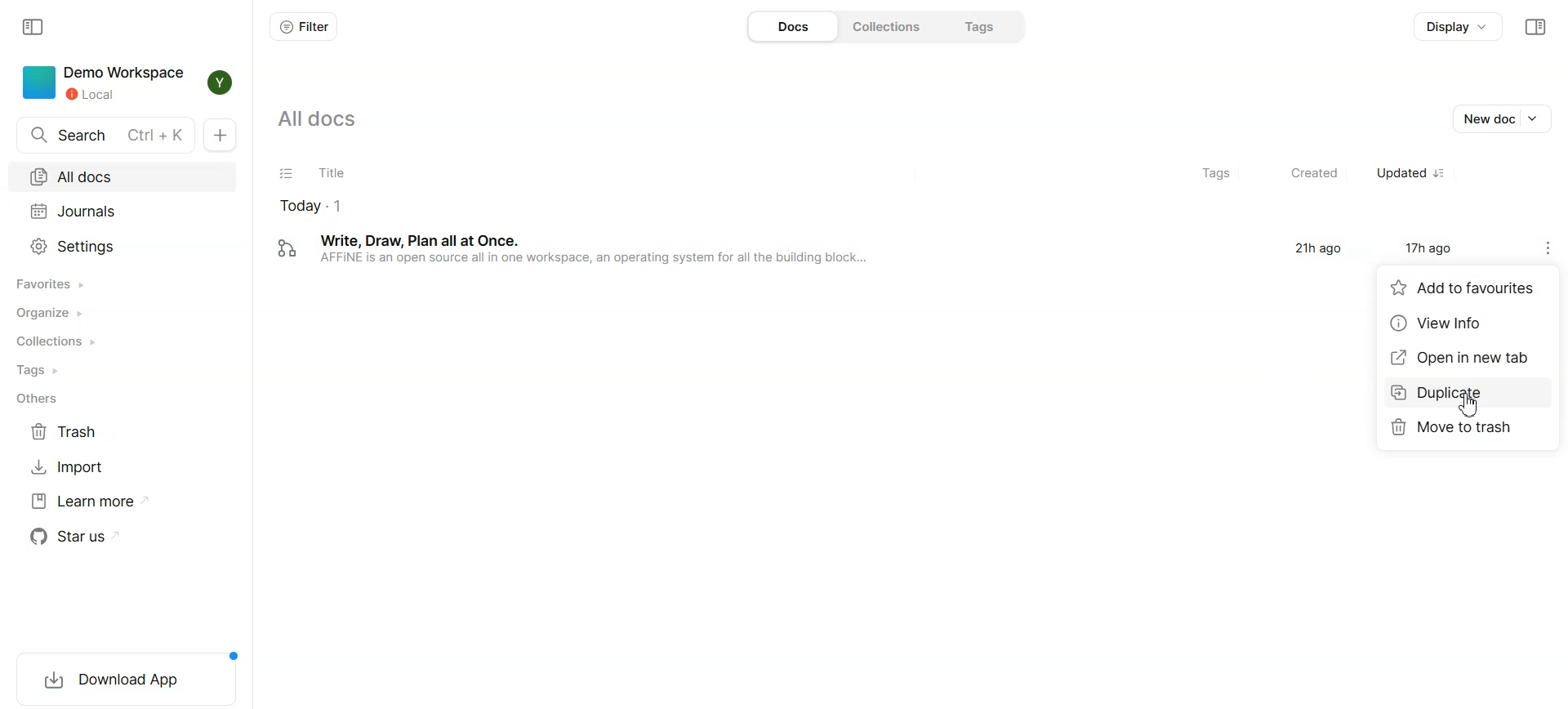 The image size is (1568, 709). Describe the element at coordinates (124, 502) in the screenshot. I see `Learn more` at that location.